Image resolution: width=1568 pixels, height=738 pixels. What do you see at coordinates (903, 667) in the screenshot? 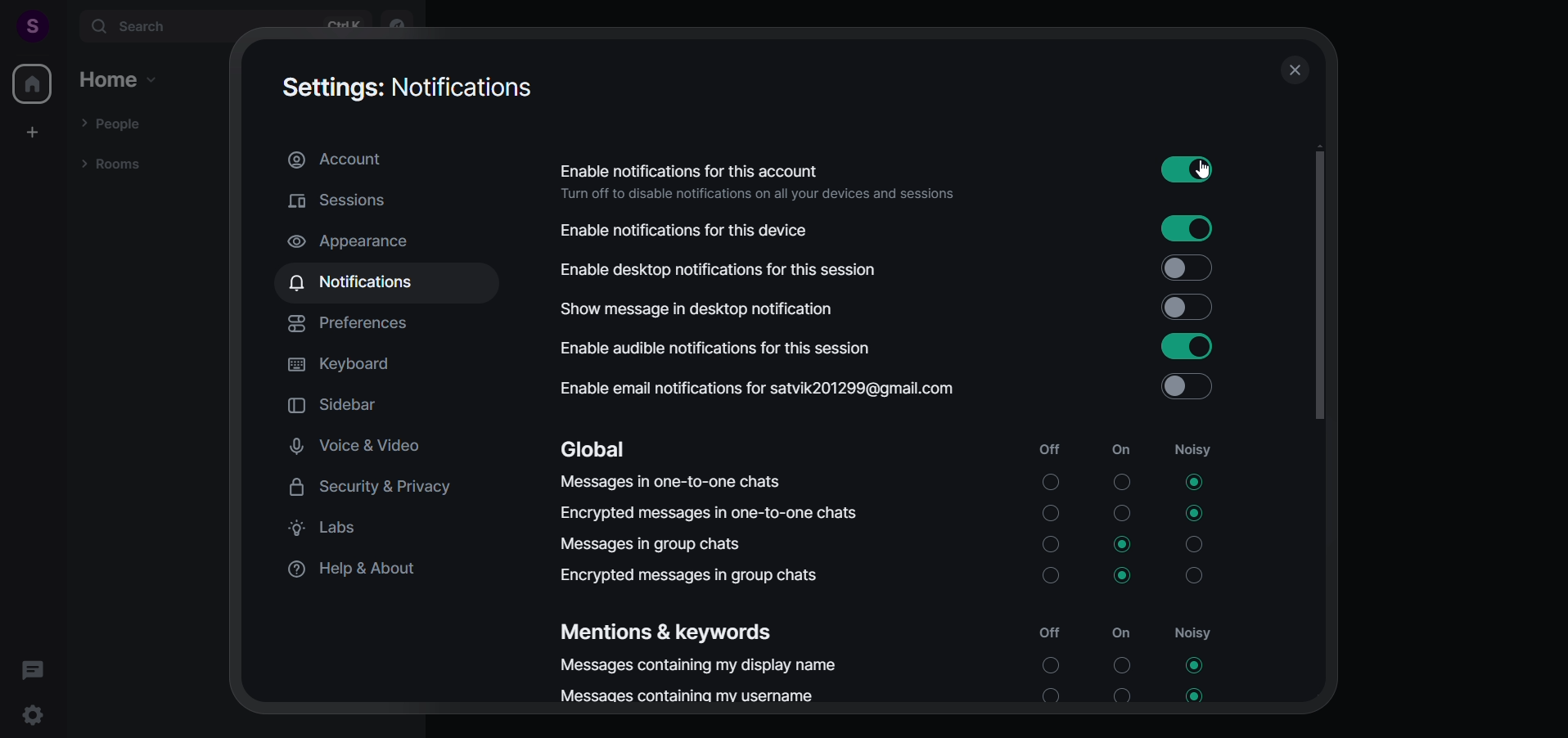
I see `messages containing my display name` at bounding box center [903, 667].